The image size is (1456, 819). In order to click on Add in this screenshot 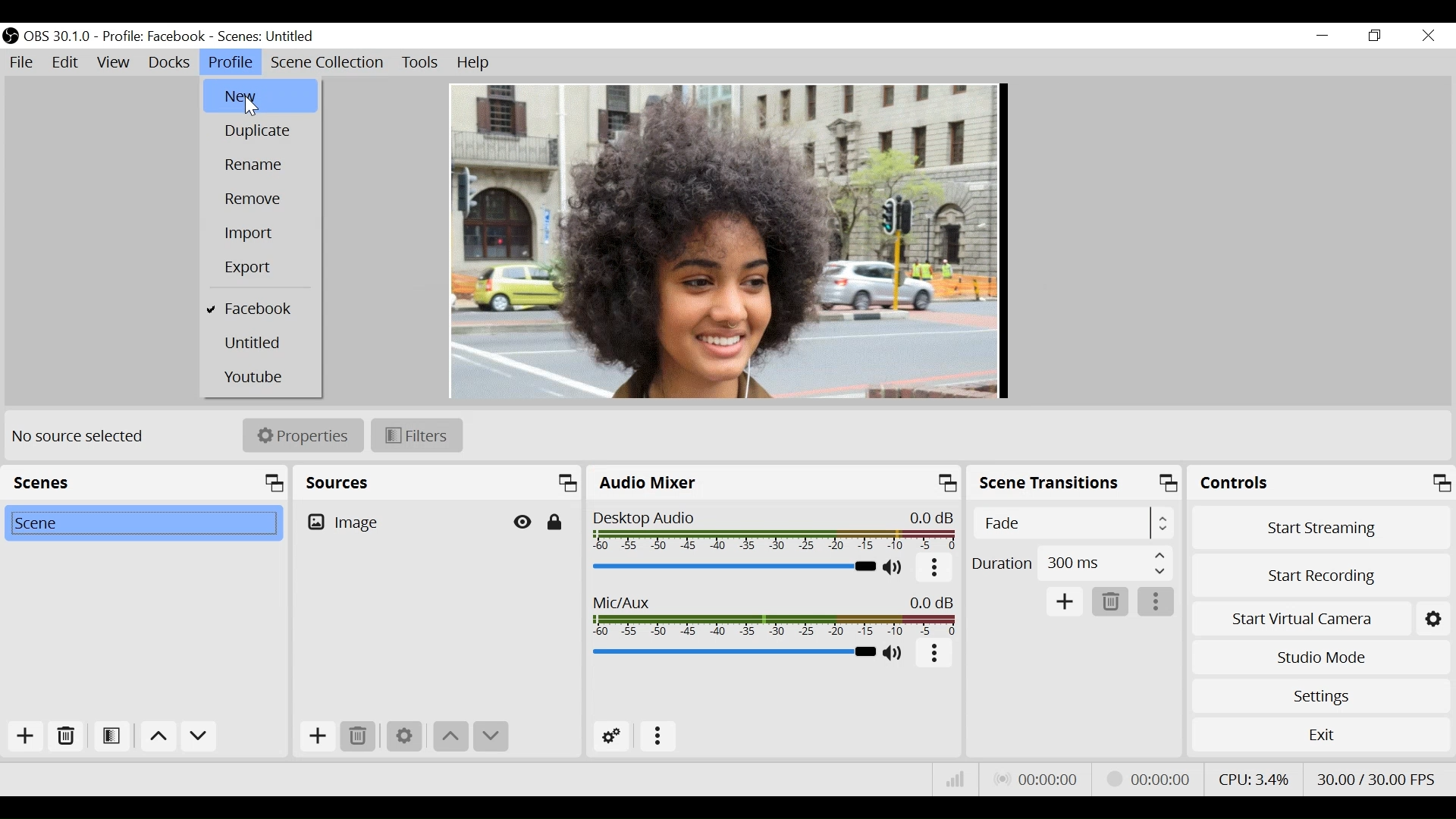, I will do `click(1066, 603)`.